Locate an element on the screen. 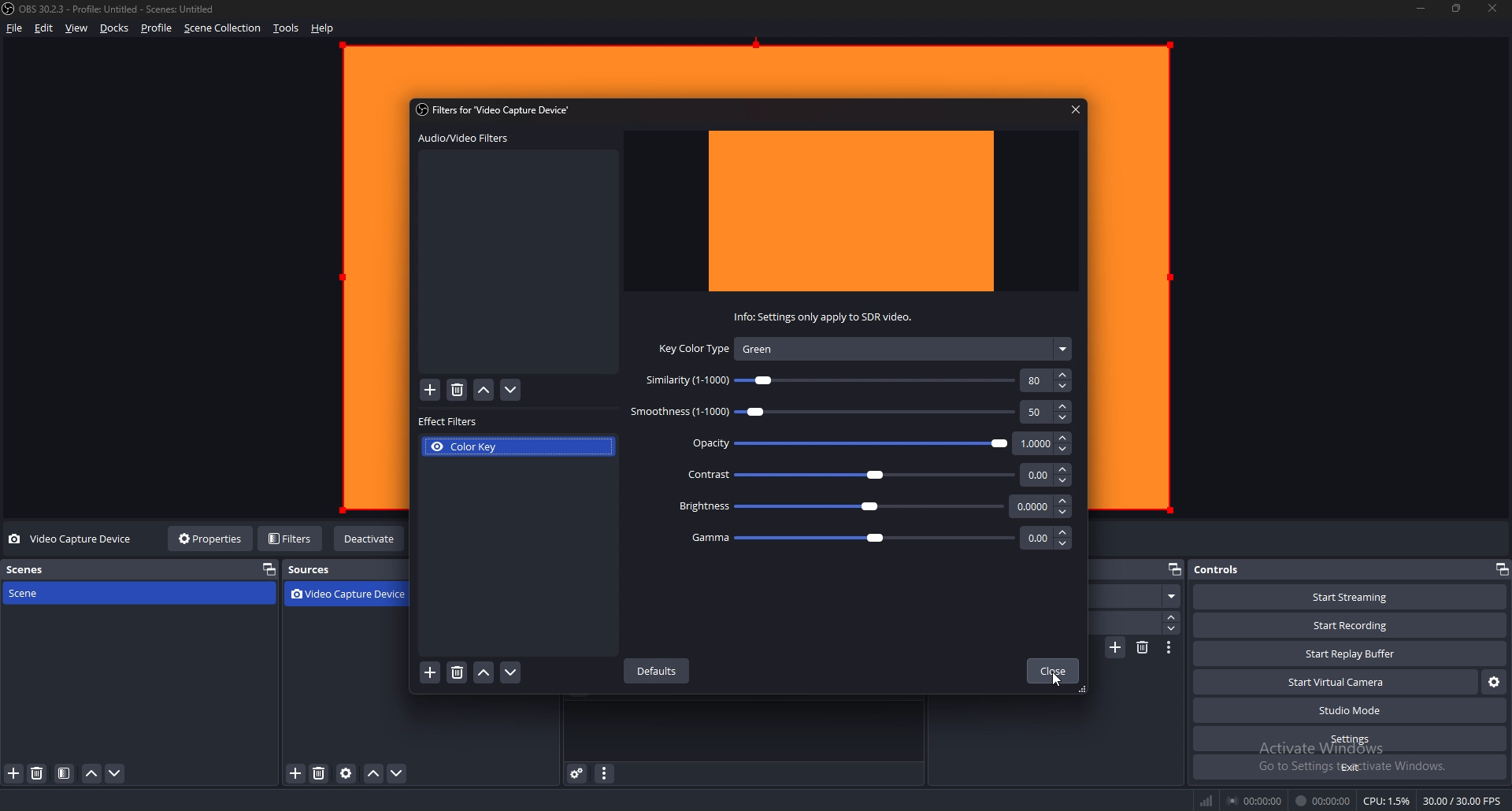 The height and width of the screenshot is (811, 1512). close is located at coordinates (1052, 671).